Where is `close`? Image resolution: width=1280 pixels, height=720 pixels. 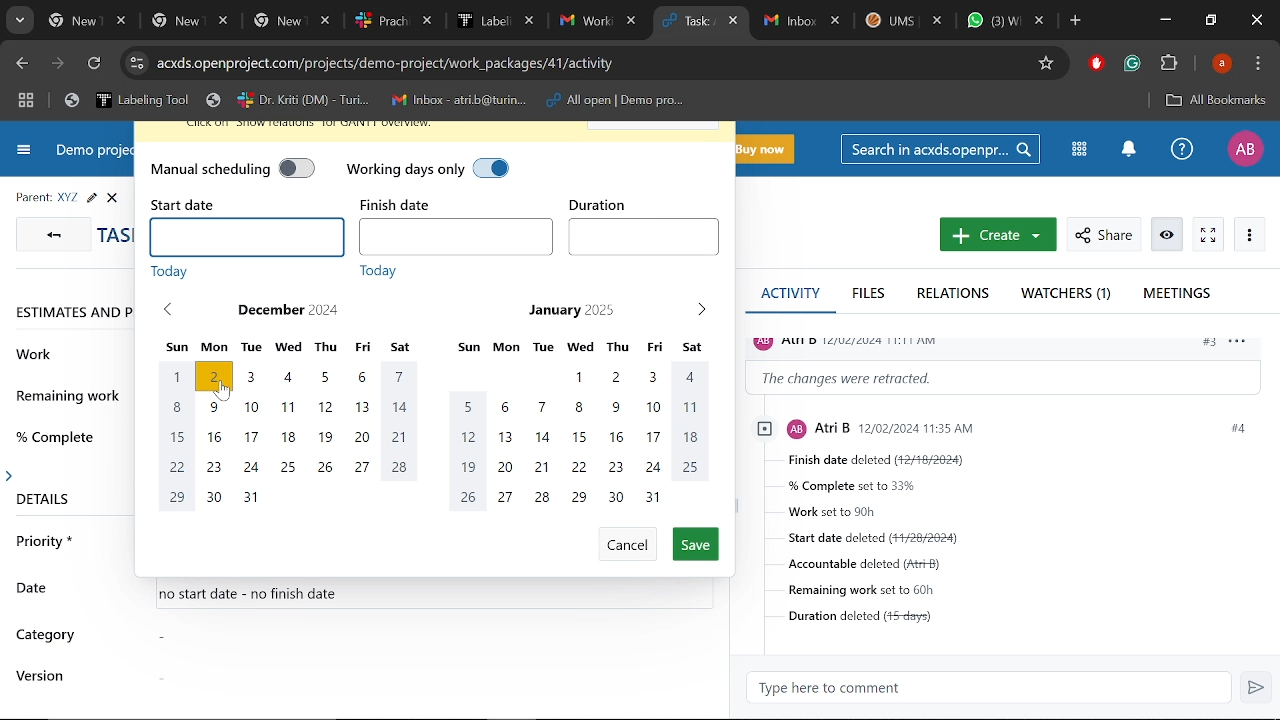 close is located at coordinates (116, 199).